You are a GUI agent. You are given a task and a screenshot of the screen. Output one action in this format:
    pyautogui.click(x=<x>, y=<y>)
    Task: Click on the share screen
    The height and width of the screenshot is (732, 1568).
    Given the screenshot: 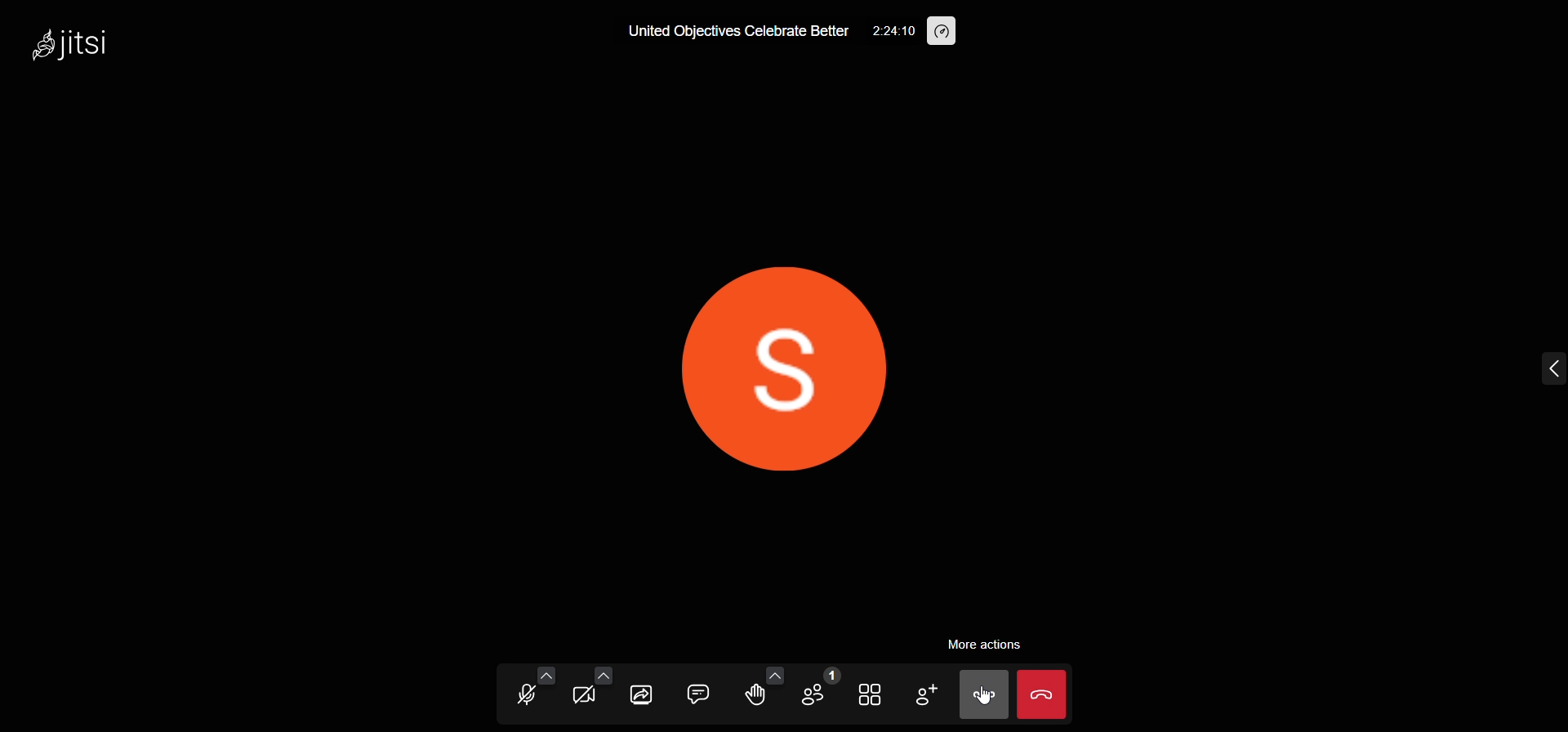 What is the action you would take?
    pyautogui.click(x=642, y=695)
    